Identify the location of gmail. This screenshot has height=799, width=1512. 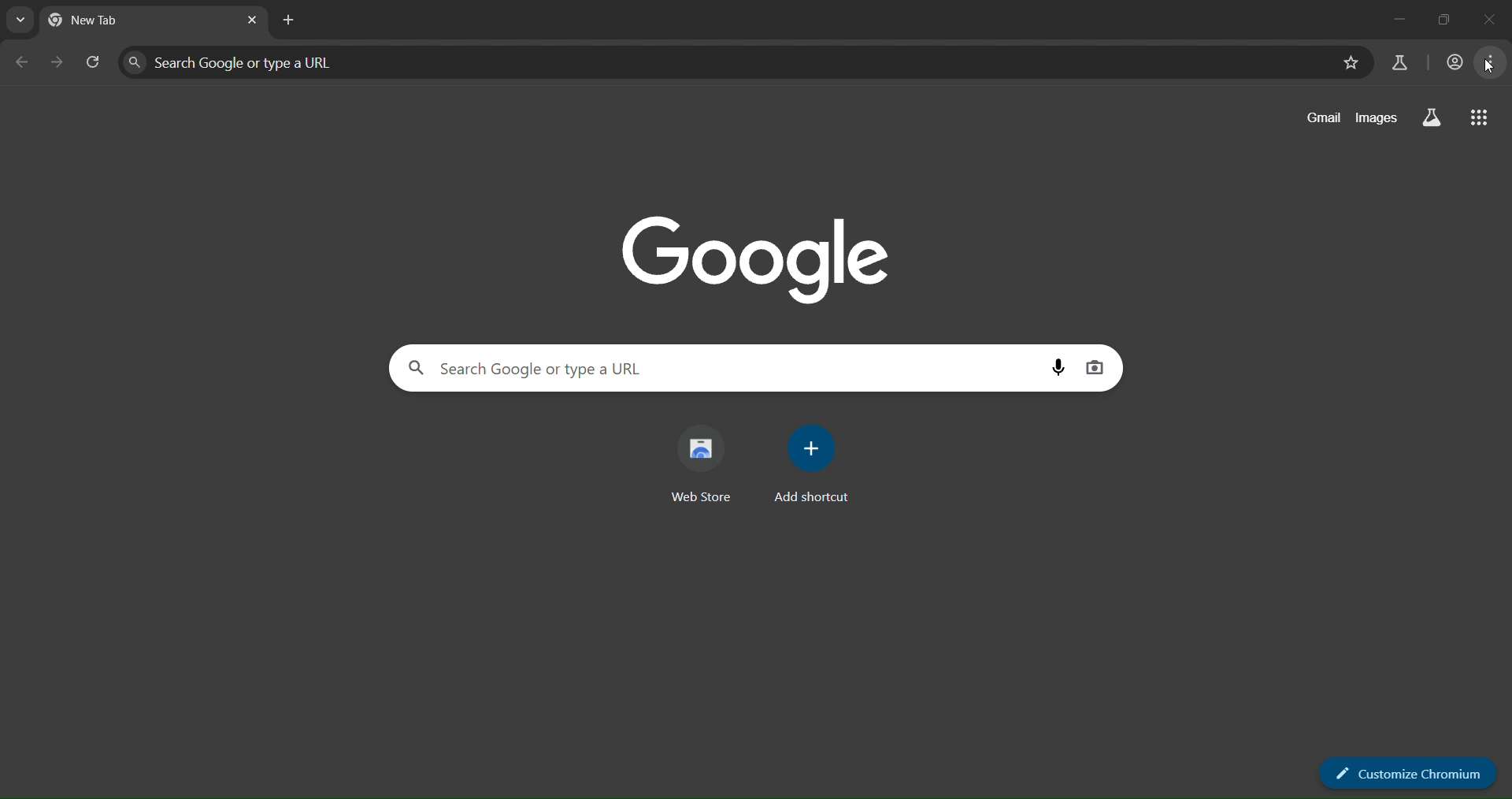
(1325, 117).